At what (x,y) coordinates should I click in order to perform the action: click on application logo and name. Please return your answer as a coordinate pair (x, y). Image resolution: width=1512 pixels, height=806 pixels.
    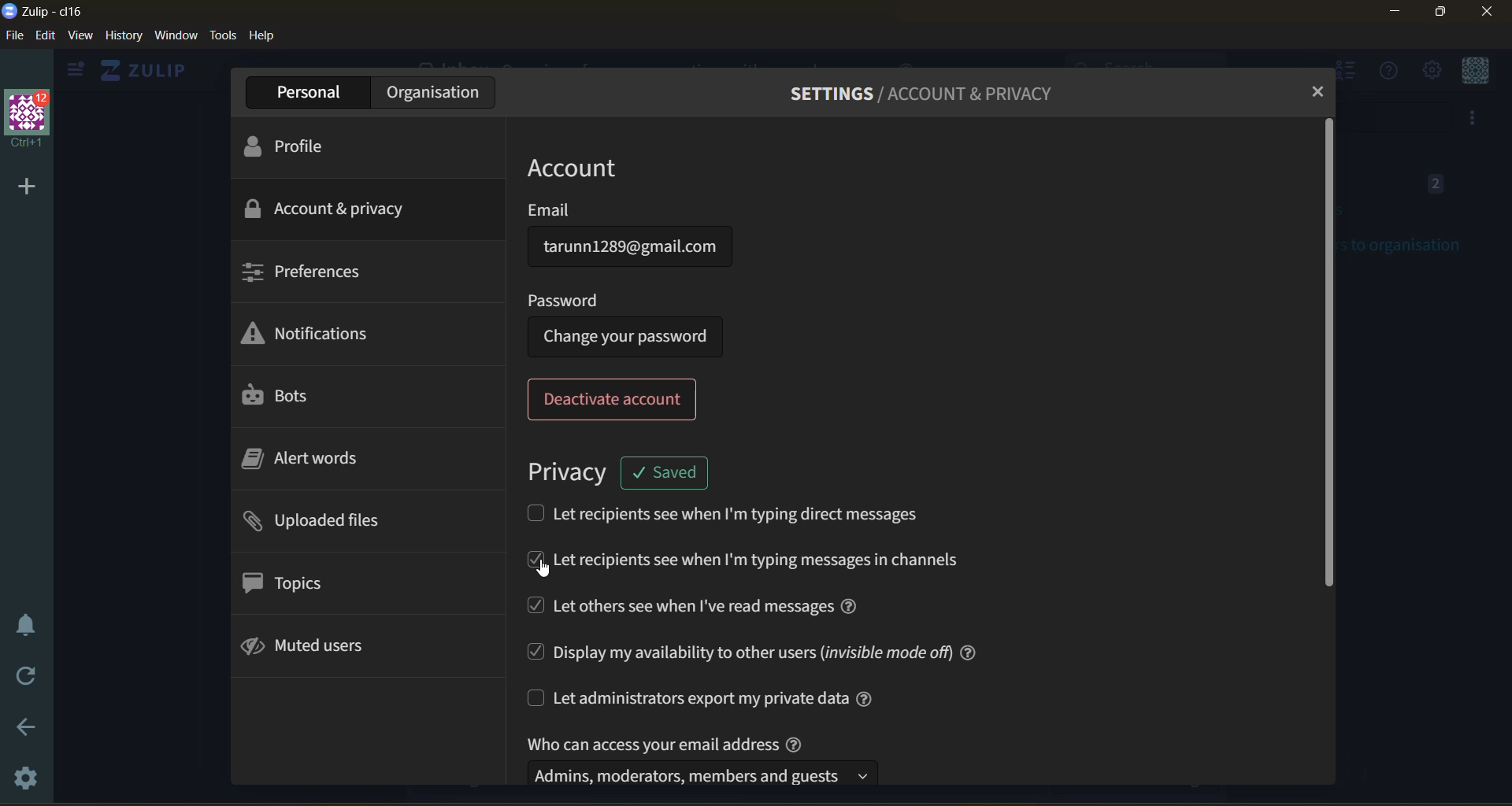
    Looking at the image, I should click on (47, 10).